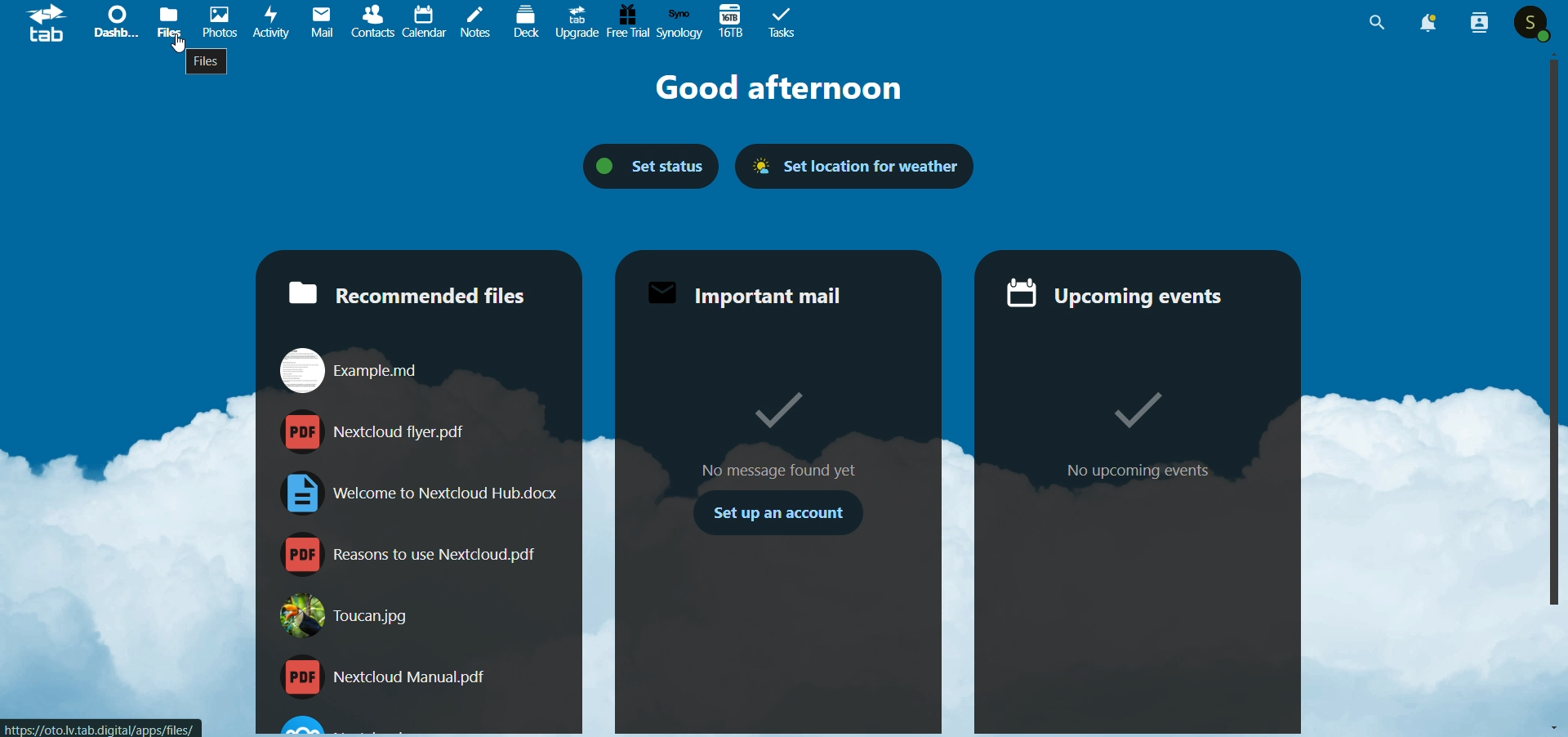 This screenshot has height=737, width=1568. Describe the element at coordinates (219, 23) in the screenshot. I see `photos` at that location.